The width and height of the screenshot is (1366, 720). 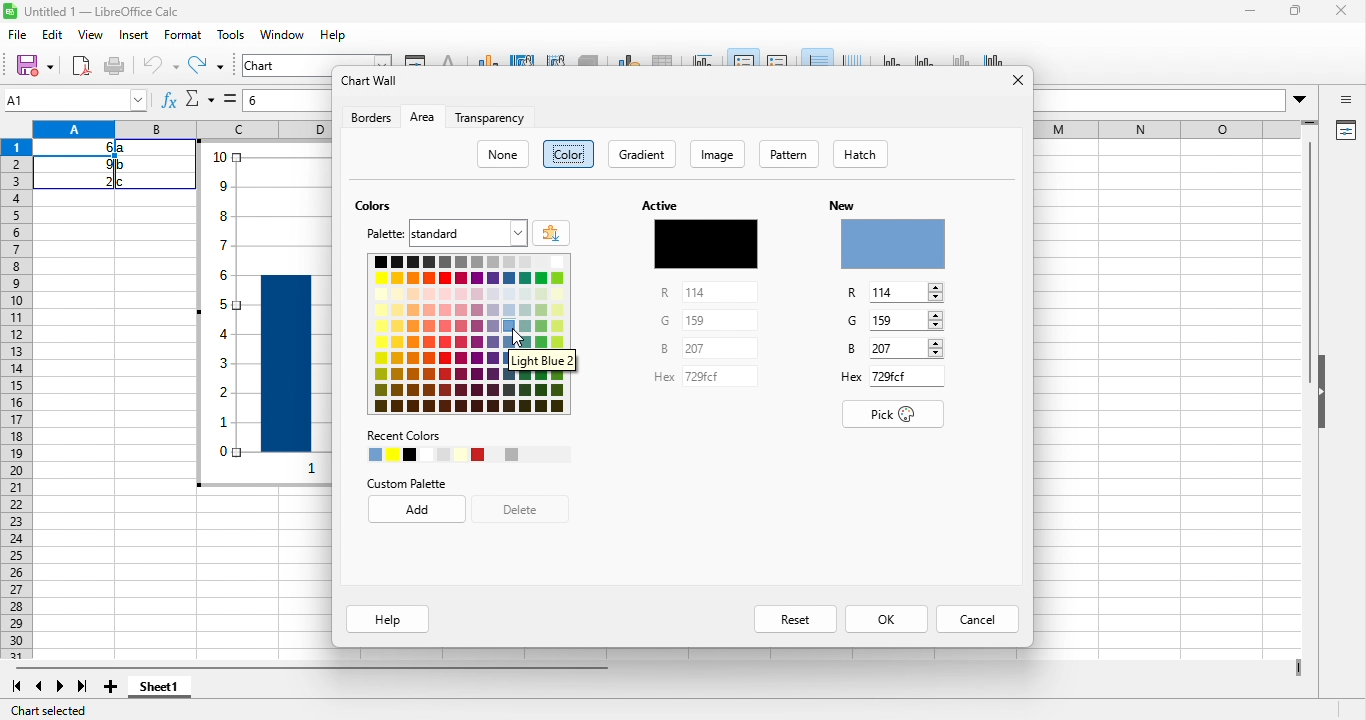 What do you see at coordinates (889, 235) in the screenshot?
I see `new color` at bounding box center [889, 235].